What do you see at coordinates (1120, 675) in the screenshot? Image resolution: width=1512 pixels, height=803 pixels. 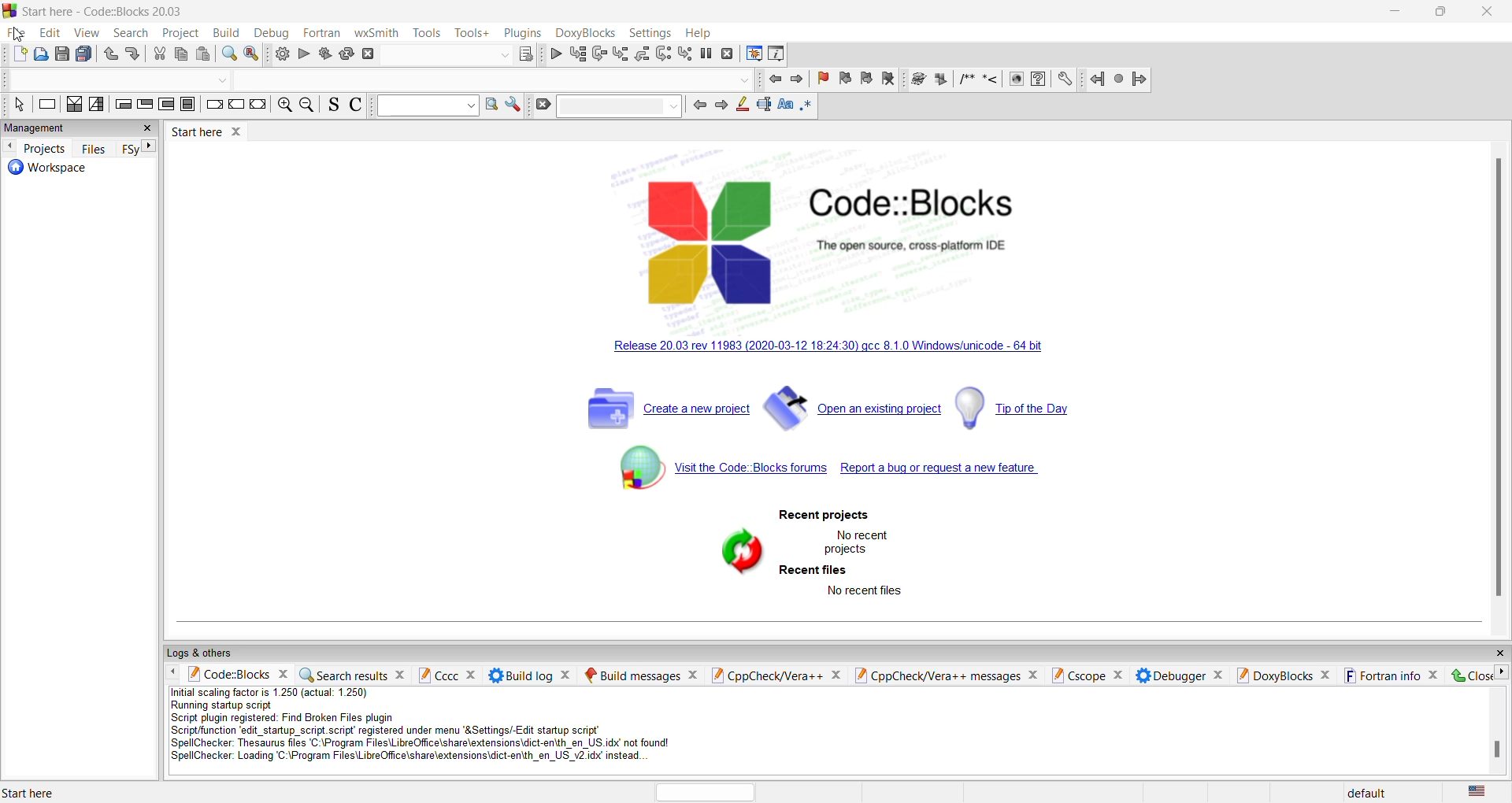 I see `close` at bounding box center [1120, 675].